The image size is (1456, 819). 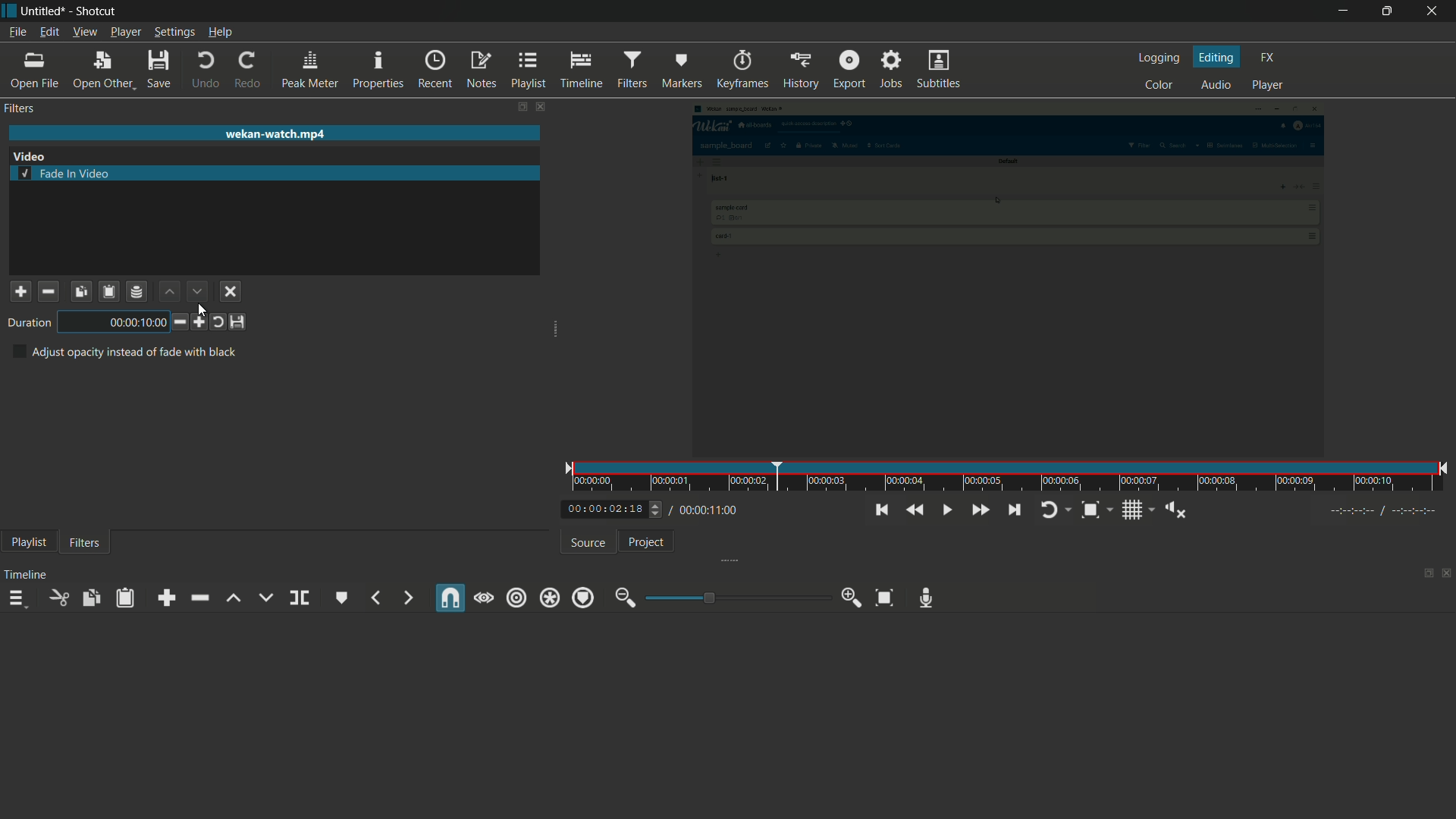 I want to click on editing, so click(x=1219, y=58).